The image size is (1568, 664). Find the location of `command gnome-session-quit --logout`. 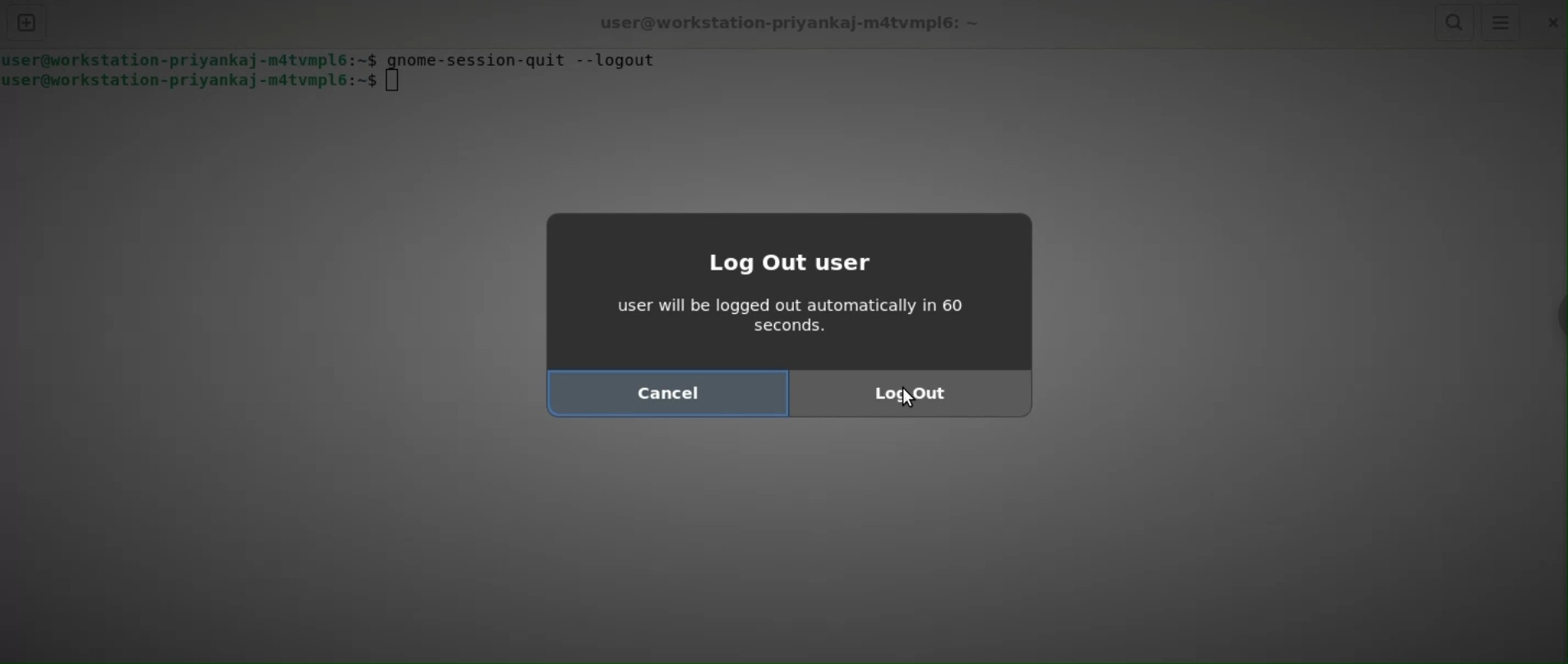

command gnome-session-quit --logout is located at coordinates (528, 61).